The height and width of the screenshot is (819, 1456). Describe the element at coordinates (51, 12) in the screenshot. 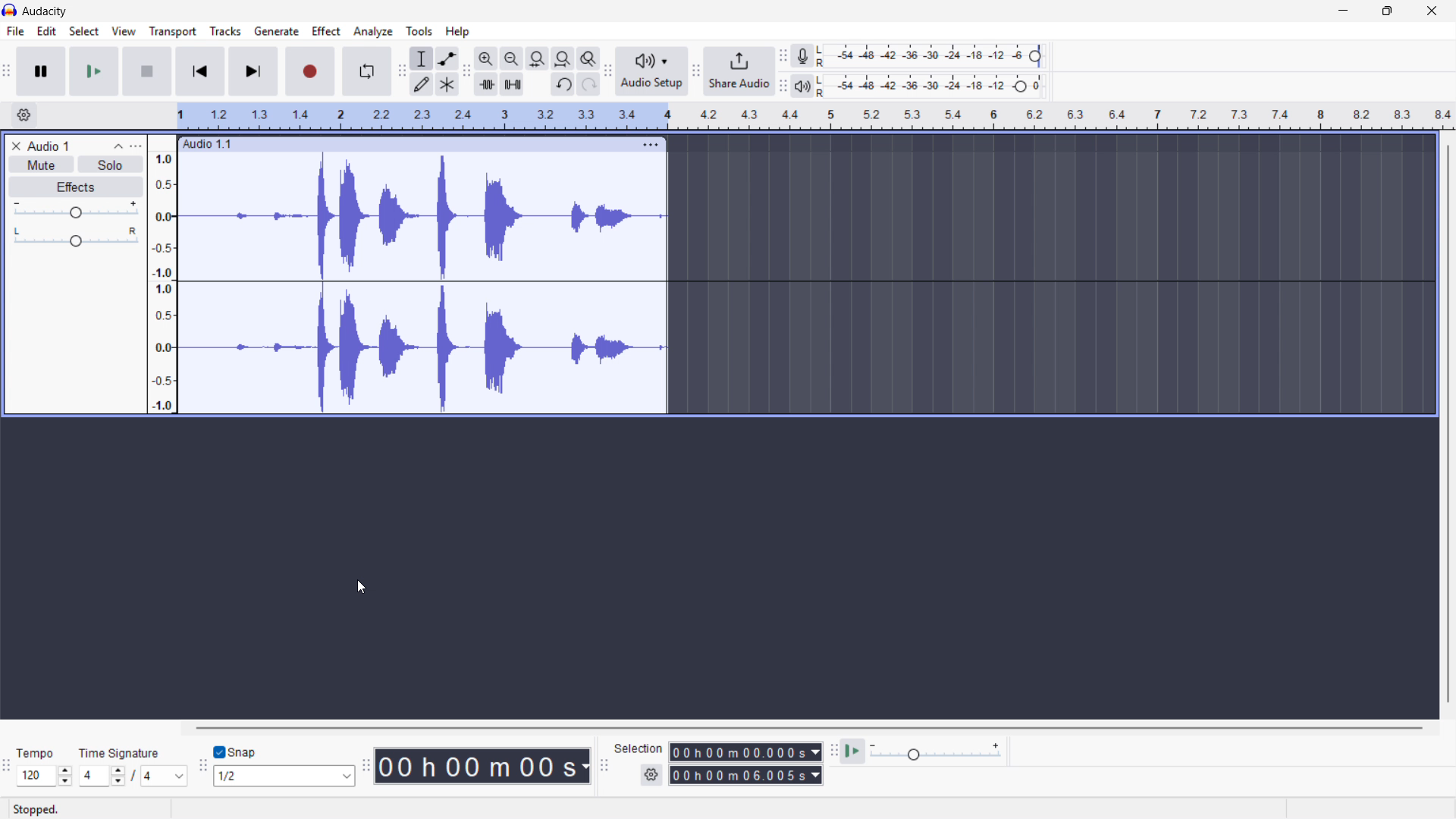

I see `audacity` at that location.